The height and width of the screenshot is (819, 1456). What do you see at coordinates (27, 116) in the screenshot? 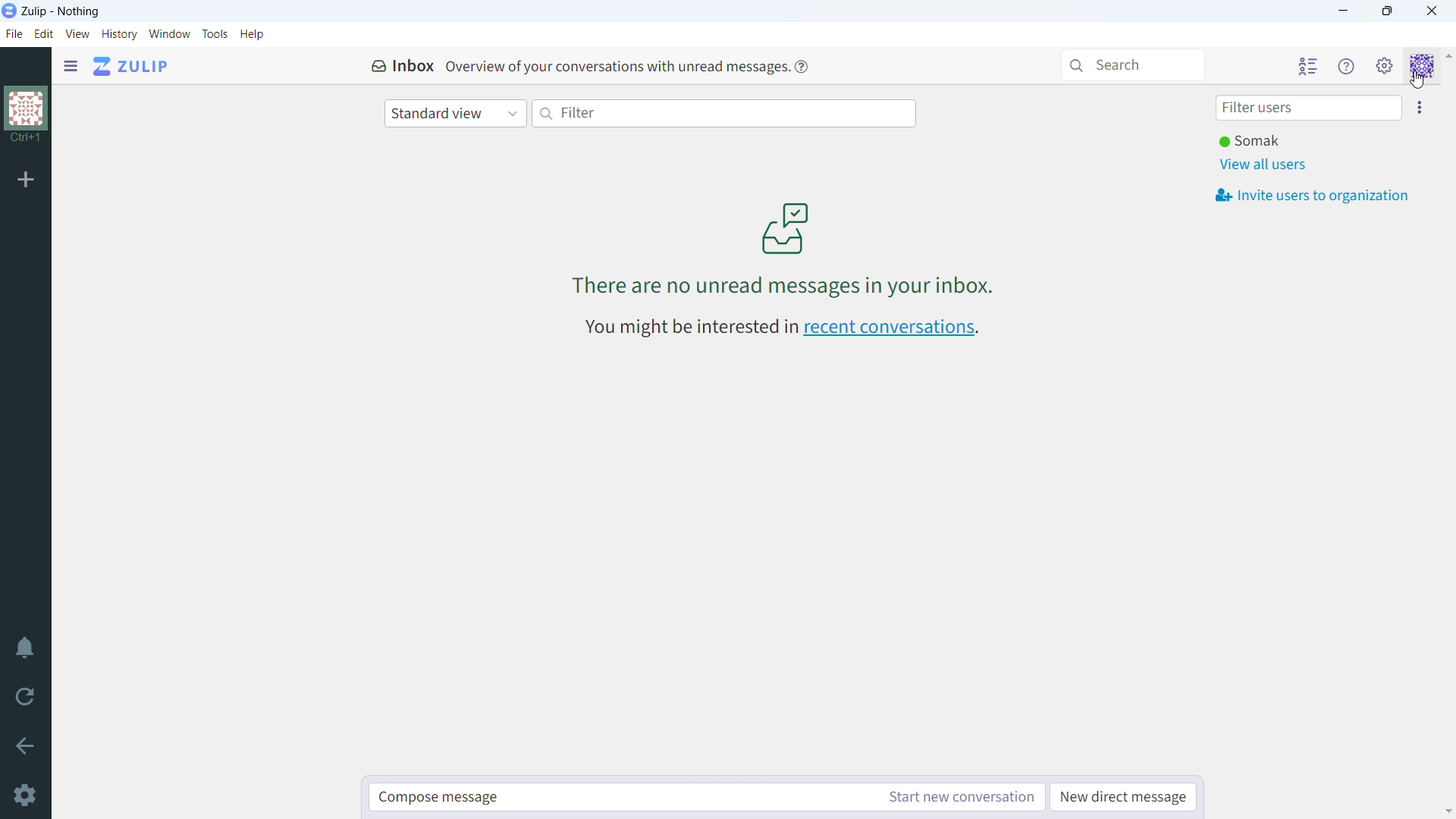
I see `organization` at bounding box center [27, 116].